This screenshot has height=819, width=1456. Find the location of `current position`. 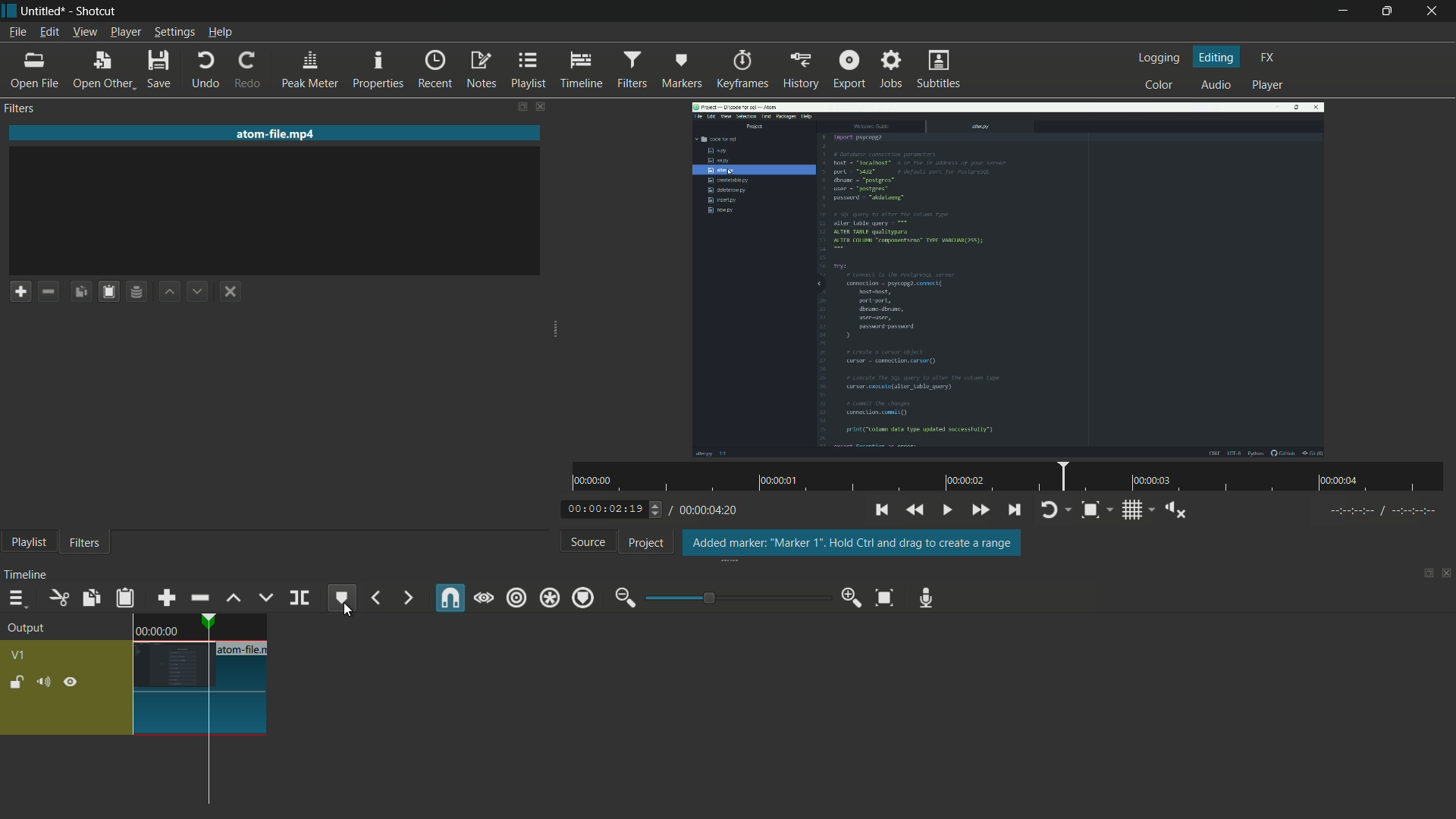

current position is located at coordinates (206, 711).